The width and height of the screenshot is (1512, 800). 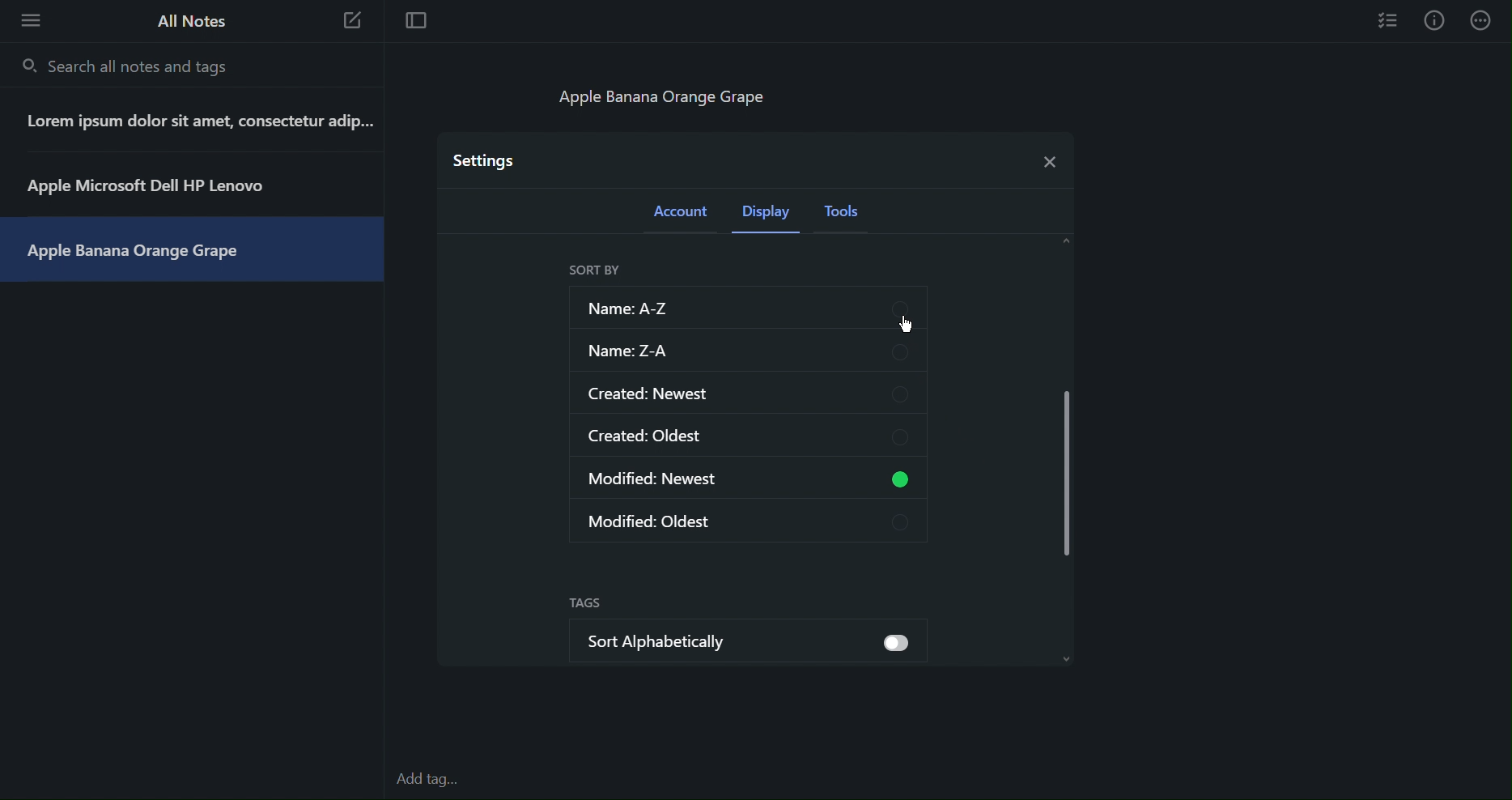 I want to click on Settings, so click(x=486, y=160).